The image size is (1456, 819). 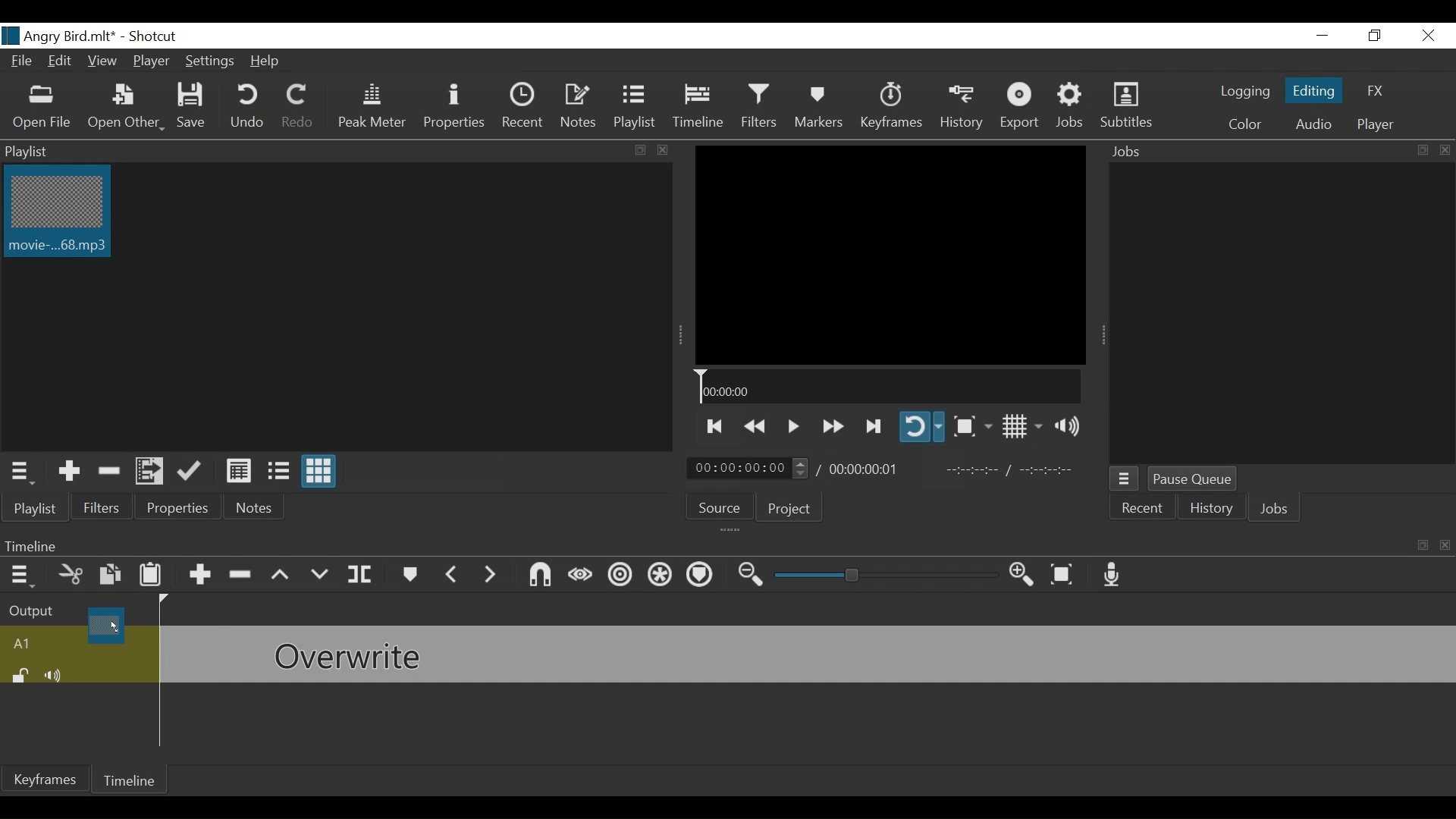 What do you see at coordinates (661, 576) in the screenshot?
I see `Ripple all tracks` at bounding box center [661, 576].